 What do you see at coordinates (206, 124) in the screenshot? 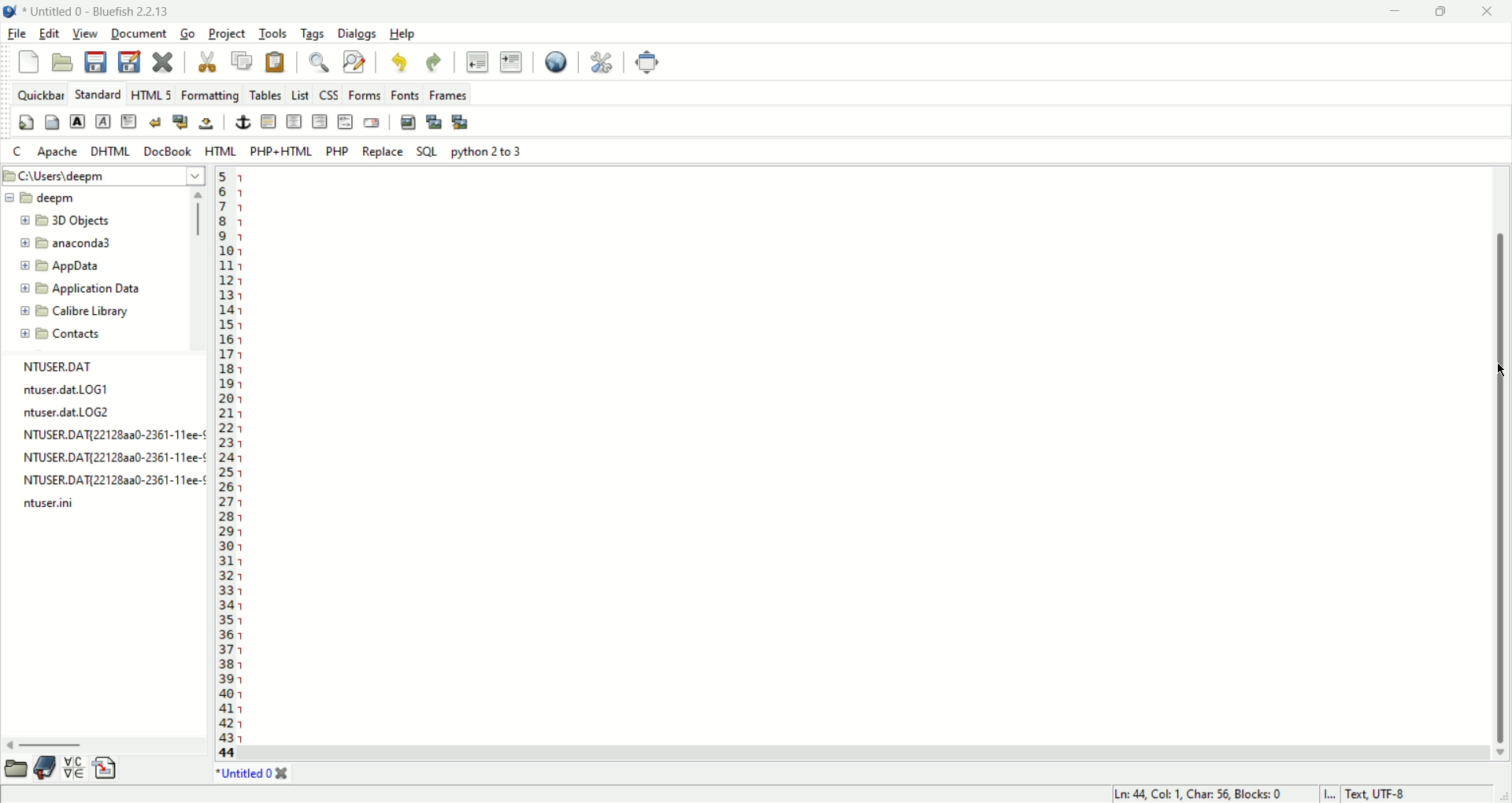
I see `non breaking space` at bounding box center [206, 124].